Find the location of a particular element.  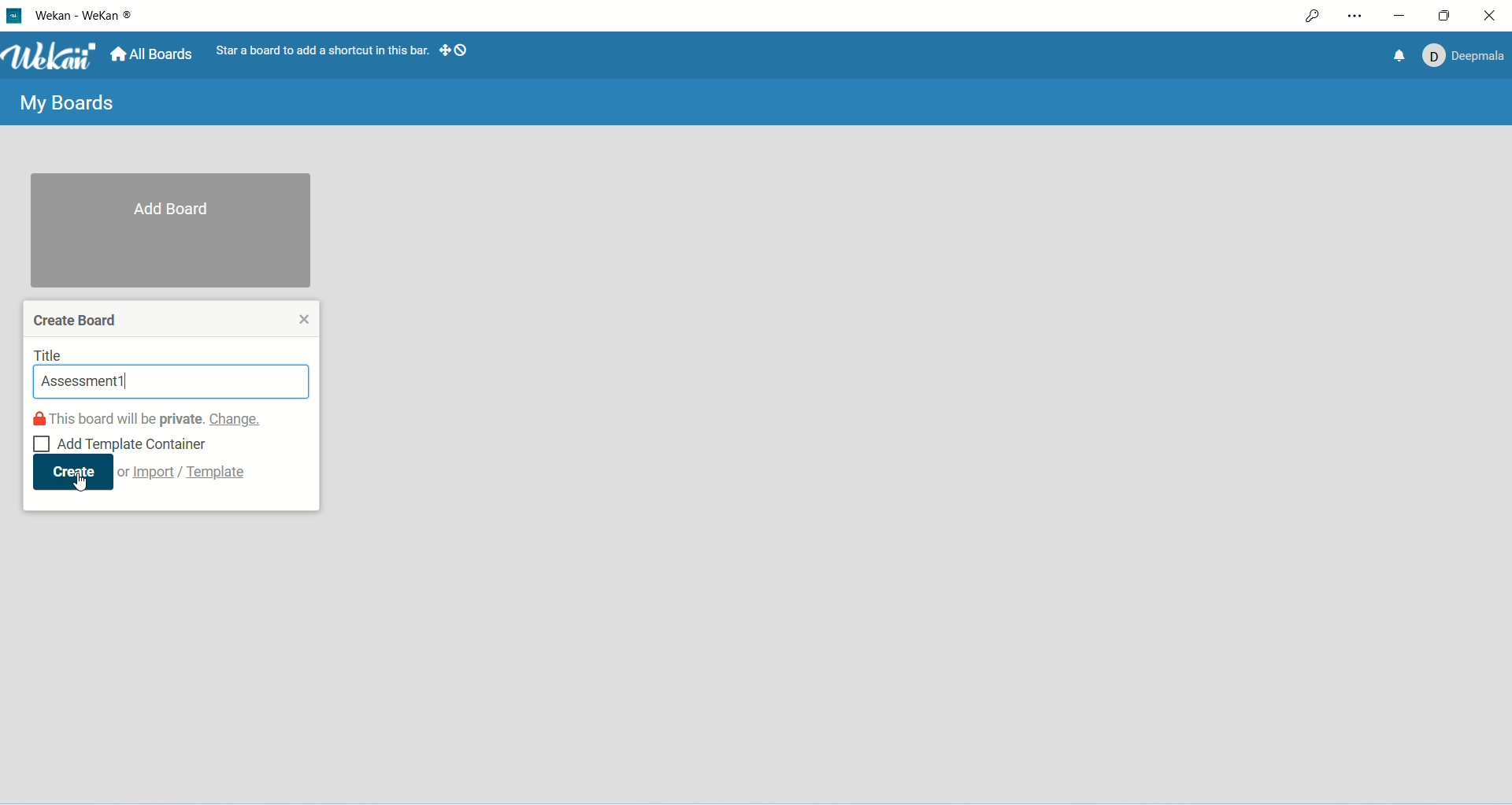

notification is located at coordinates (1397, 54).